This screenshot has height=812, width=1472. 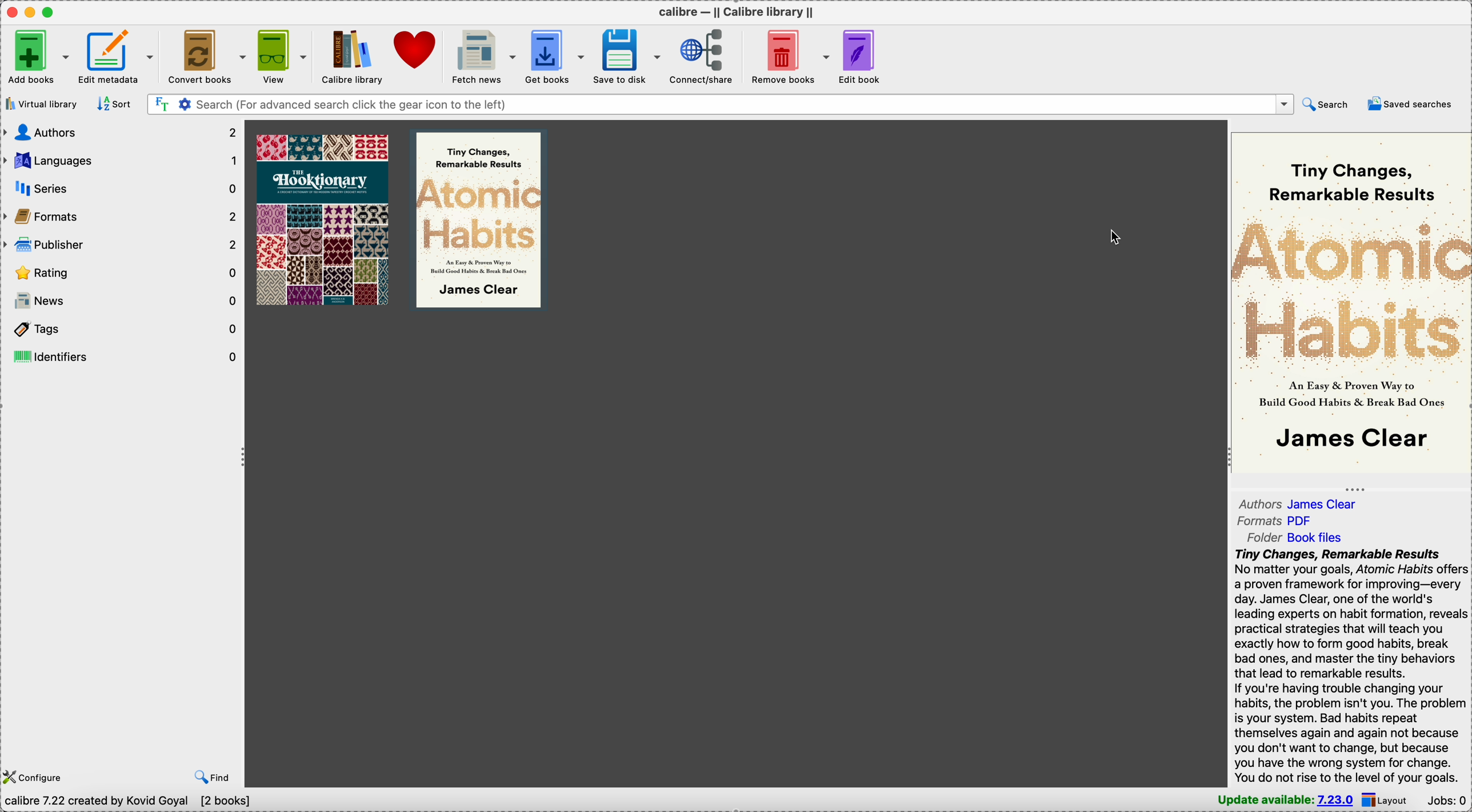 I want to click on view, so click(x=282, y=55).